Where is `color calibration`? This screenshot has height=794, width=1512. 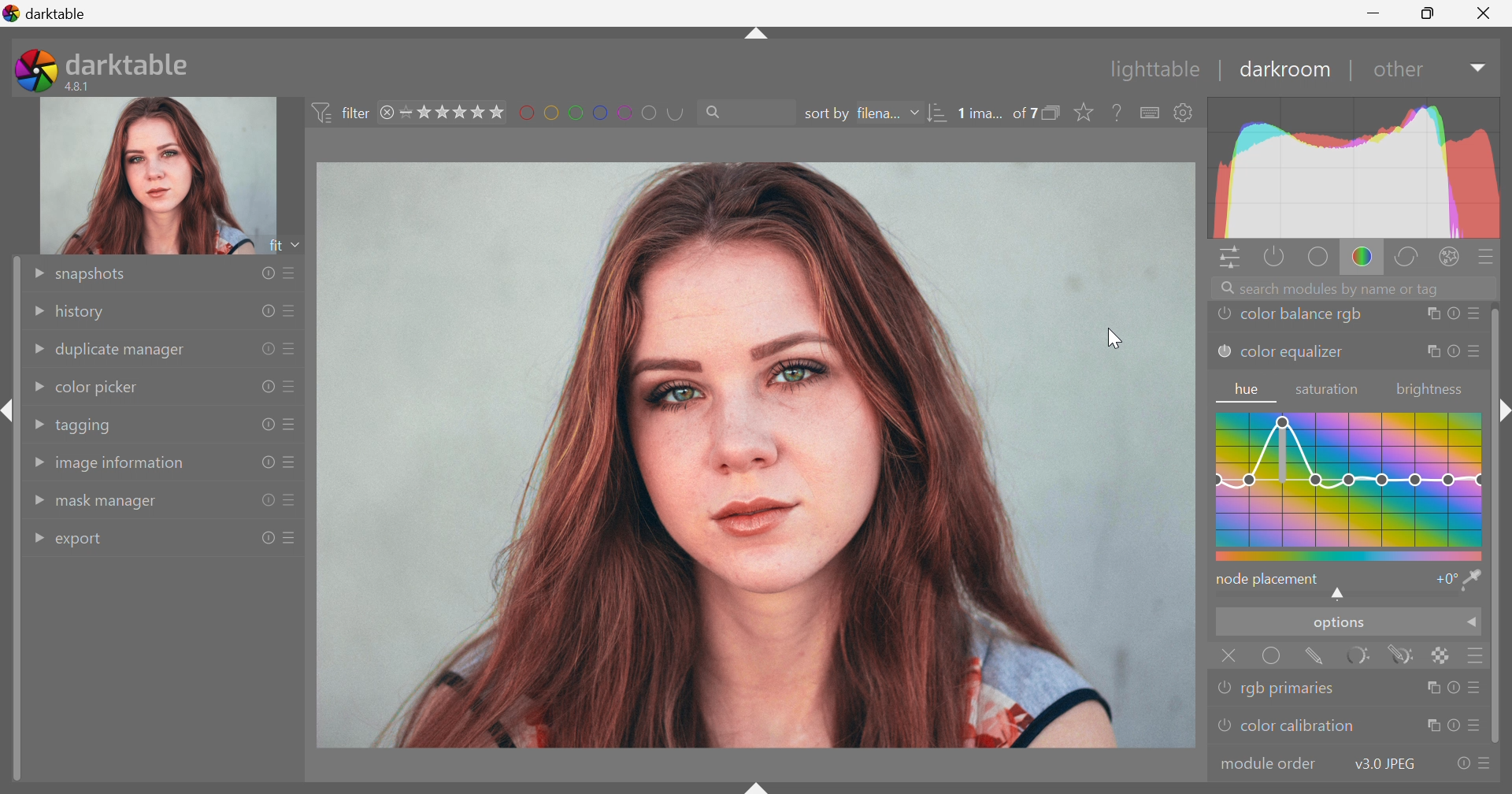 color calibration is located at coordinates (1298, 726).